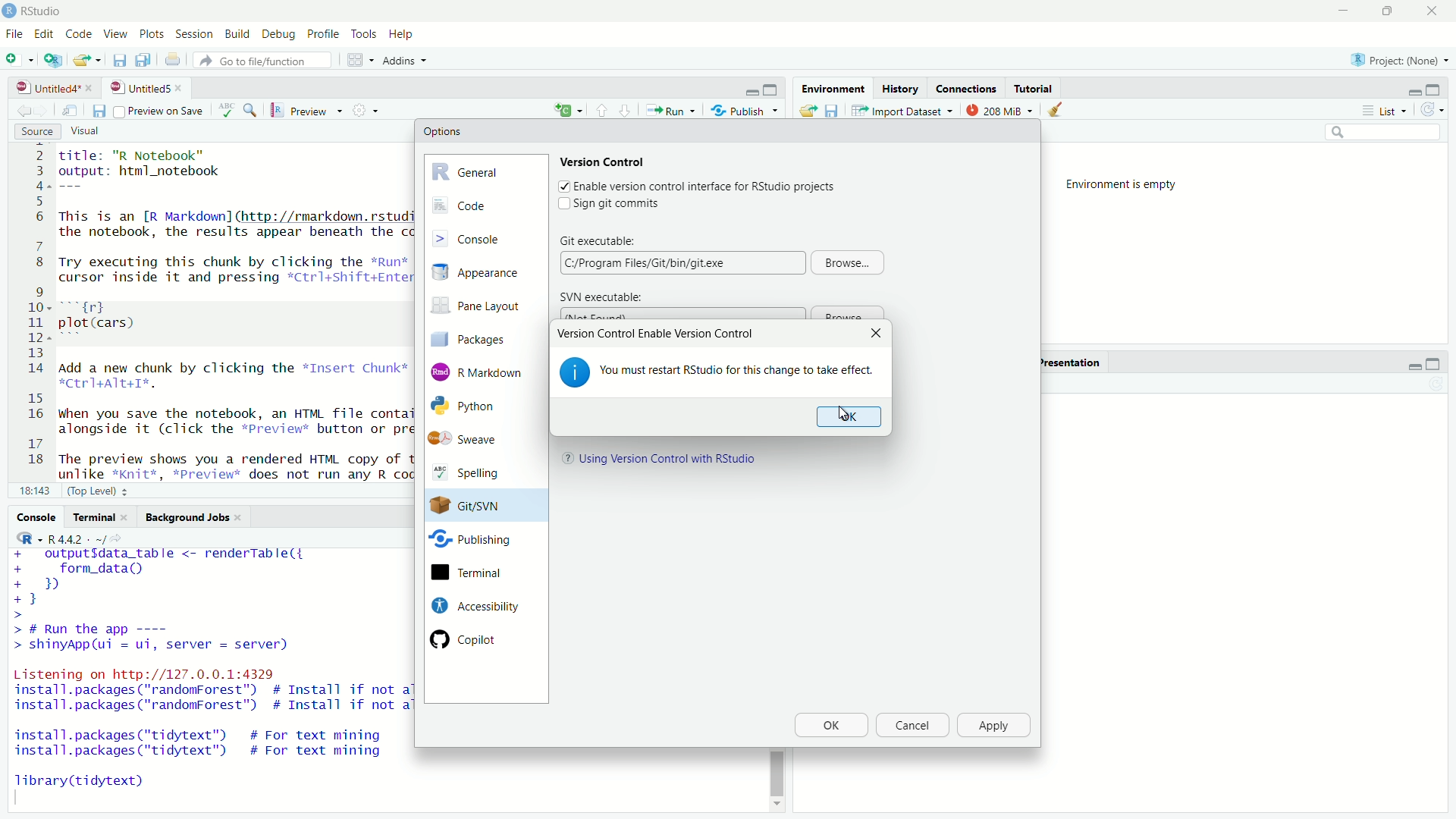  I want to click on File, so click(14, 33).